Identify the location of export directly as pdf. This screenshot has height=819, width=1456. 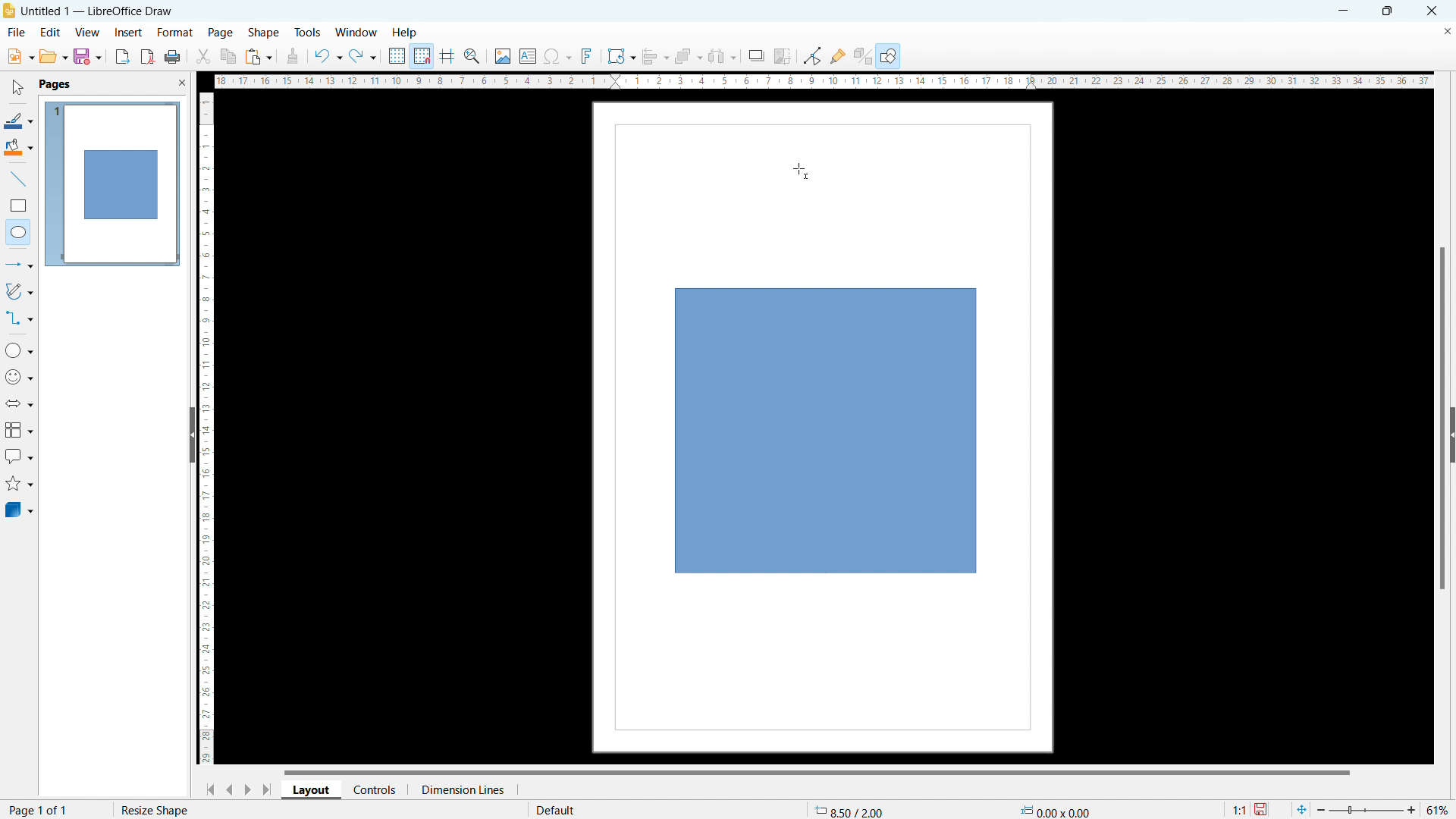
(147, 57).